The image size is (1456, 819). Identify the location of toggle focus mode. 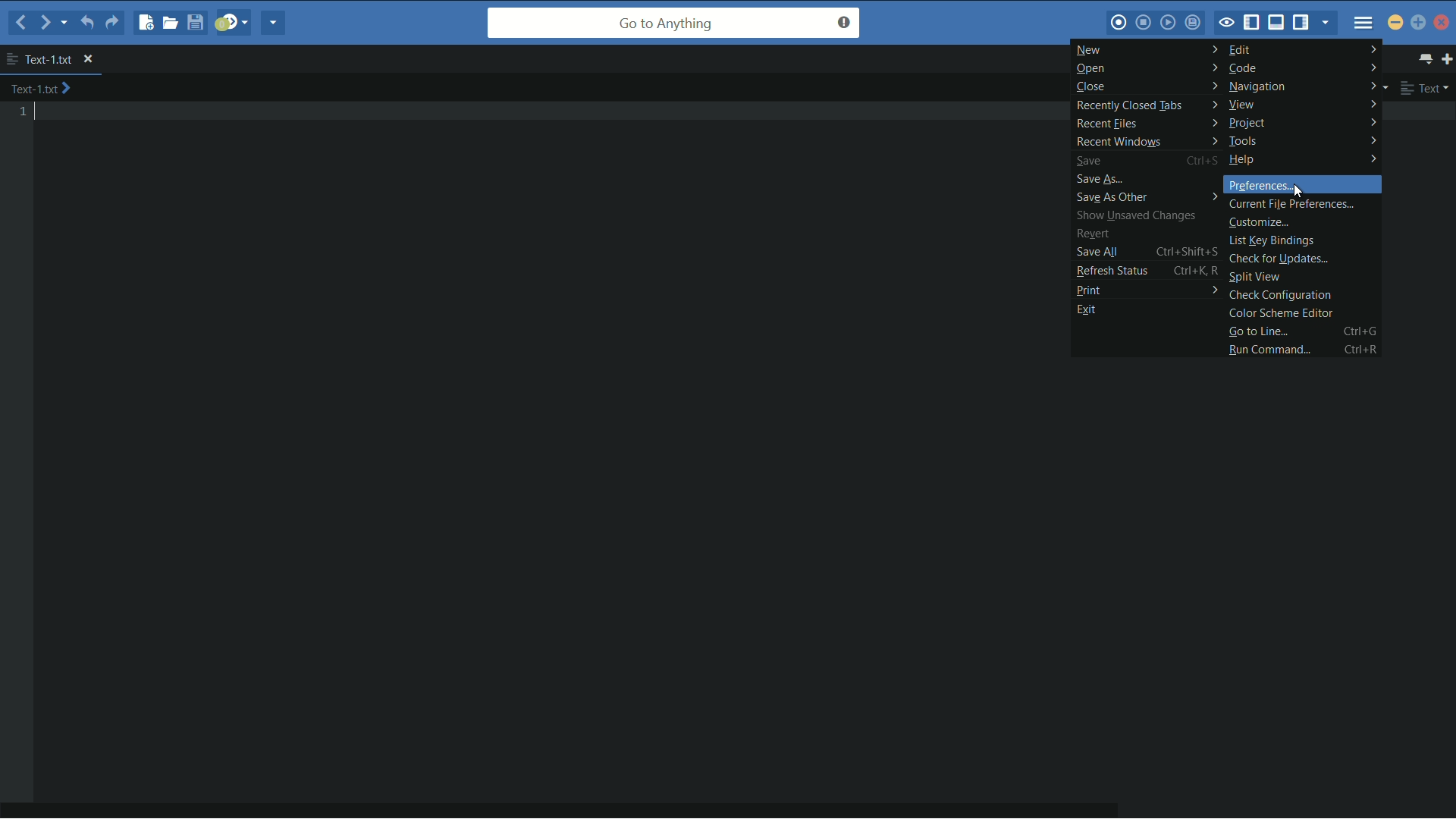
(1226, 24).